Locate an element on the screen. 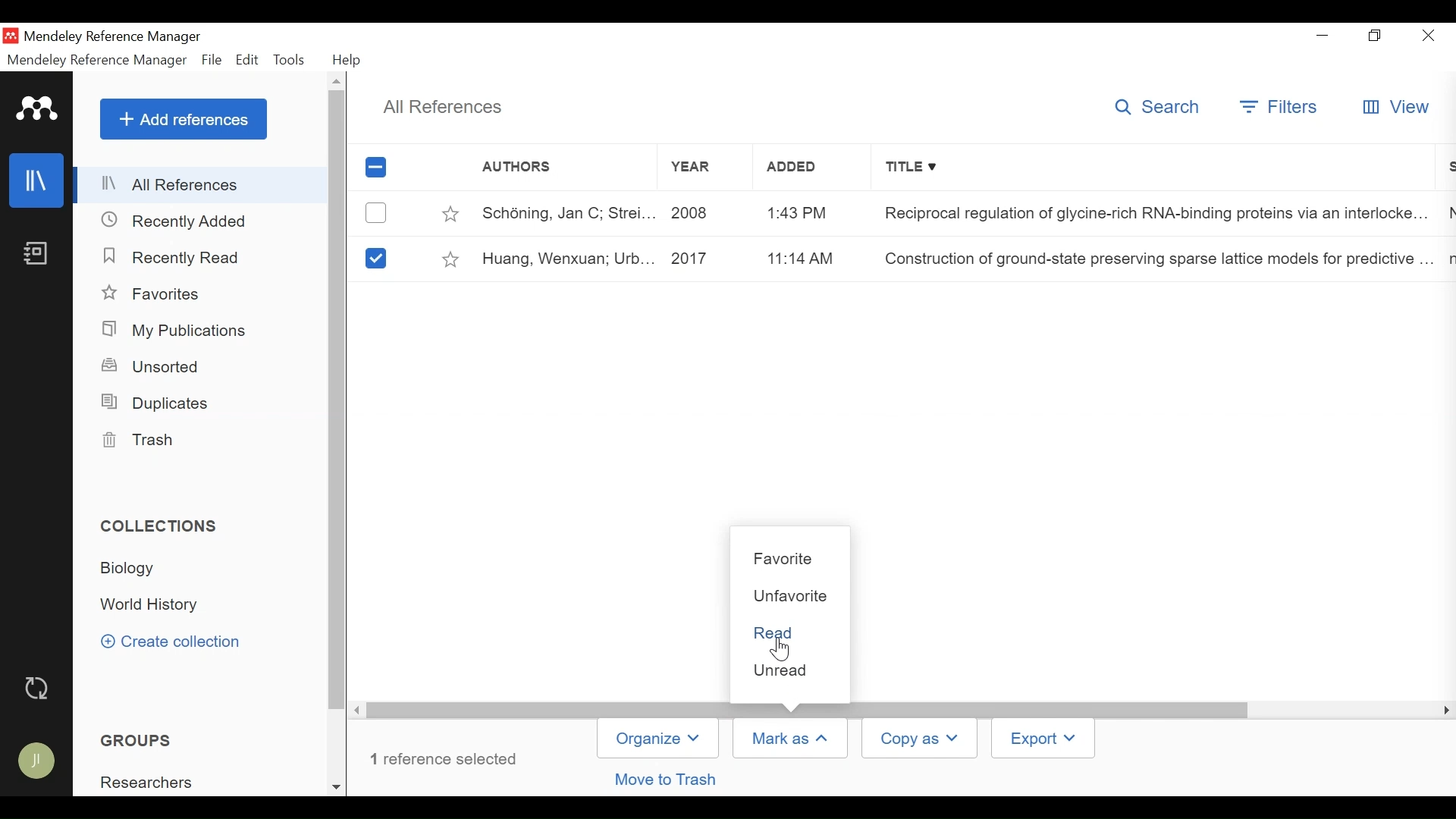 The image size is (1456, 819). Library is located at coordinates (35, 180).